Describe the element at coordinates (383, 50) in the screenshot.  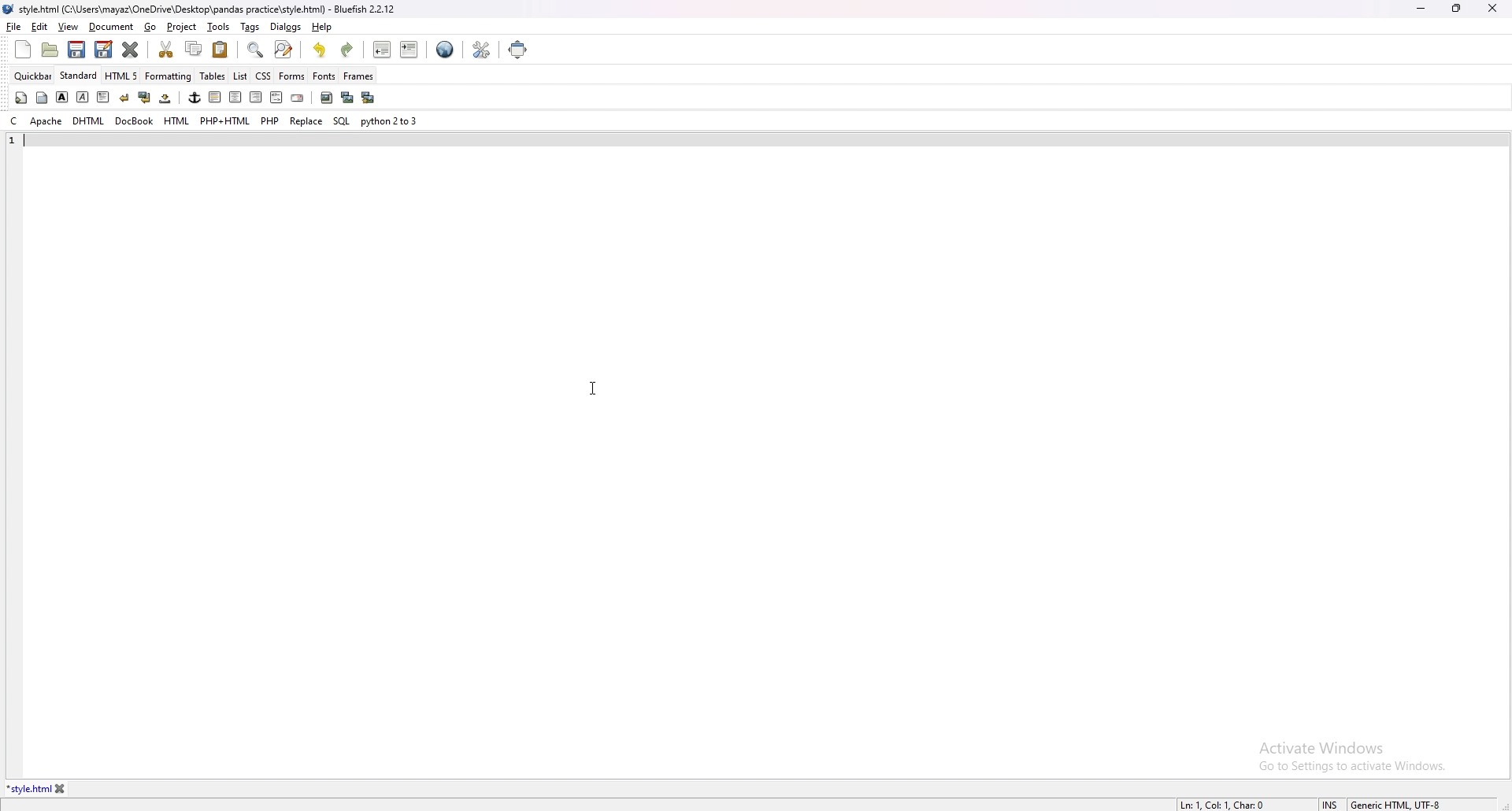
I see `unindent` at that location.